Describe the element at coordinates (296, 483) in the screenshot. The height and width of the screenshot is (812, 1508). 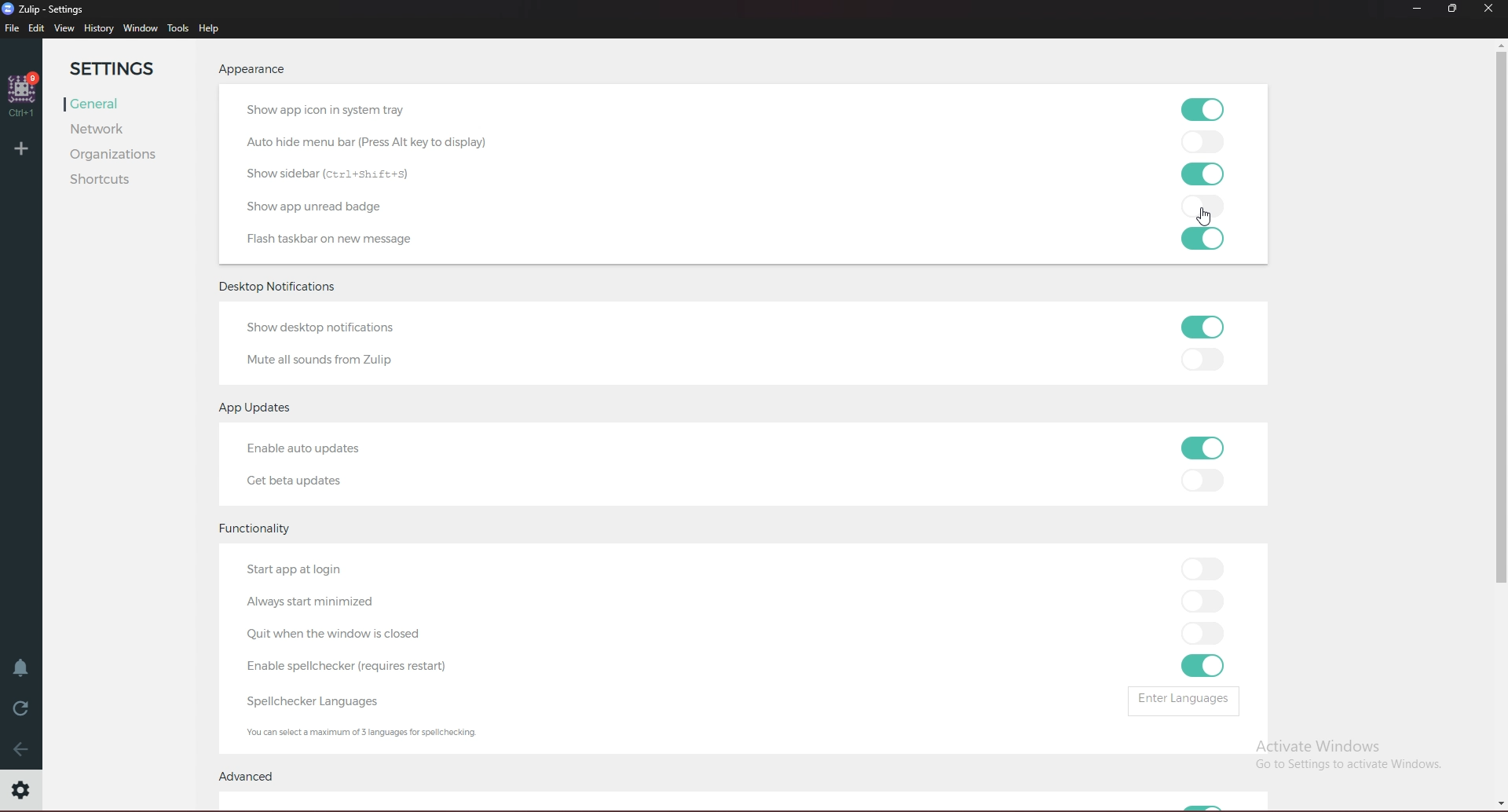
I see `Get beta updates` at that location.